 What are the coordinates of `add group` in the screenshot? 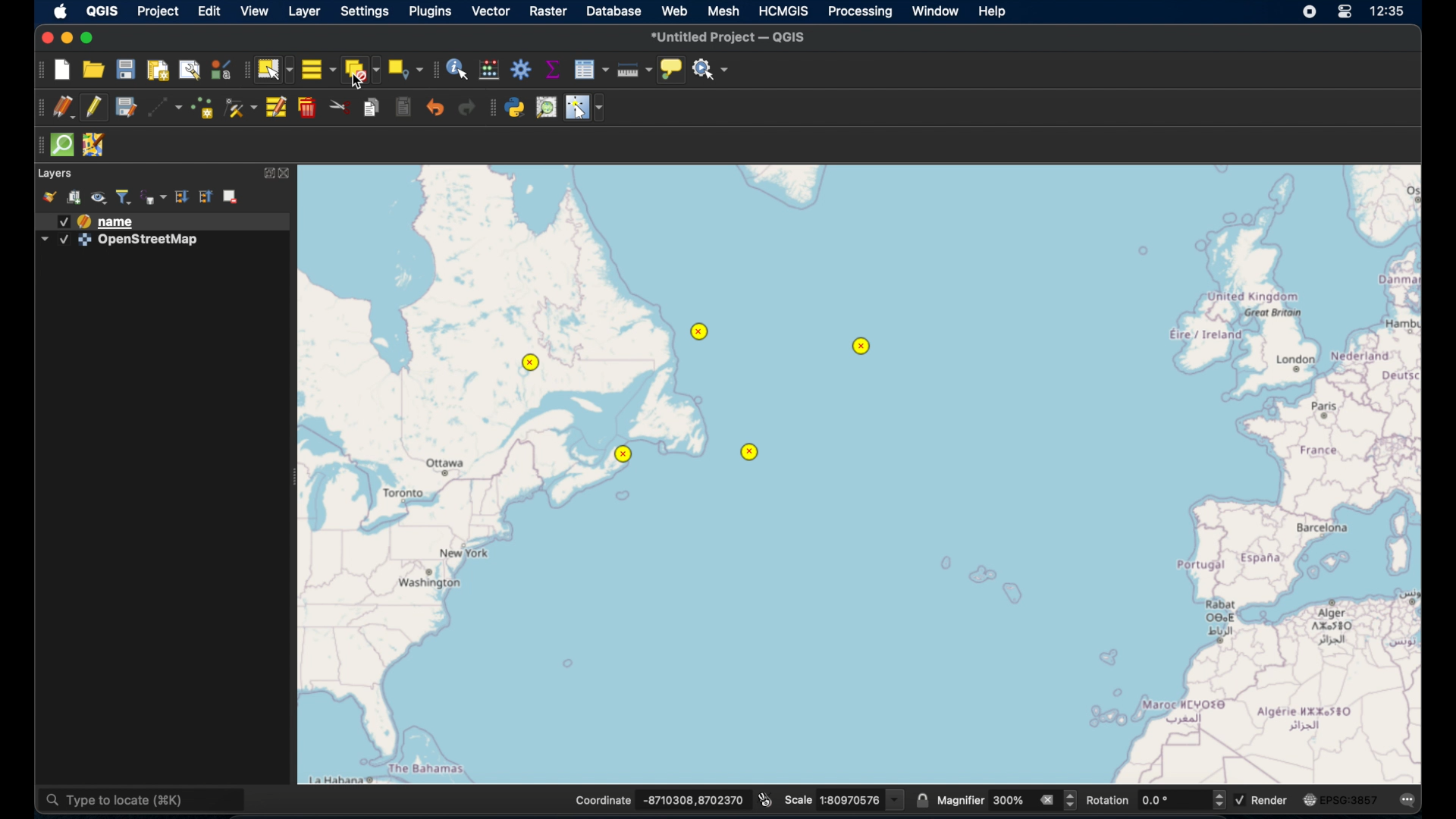 It's located at (74, 199).